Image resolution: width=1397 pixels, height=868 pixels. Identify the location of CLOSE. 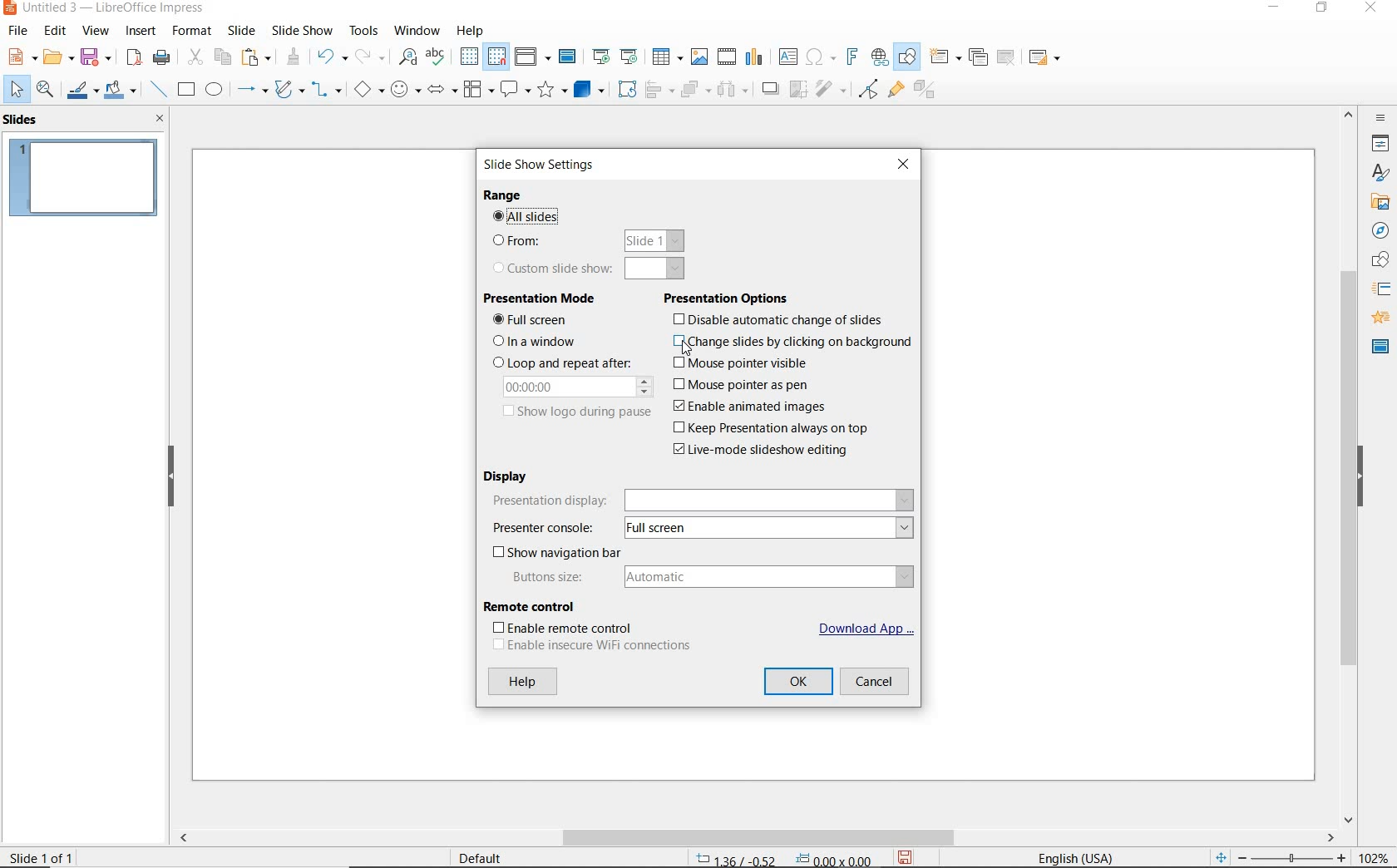
(903, 165).